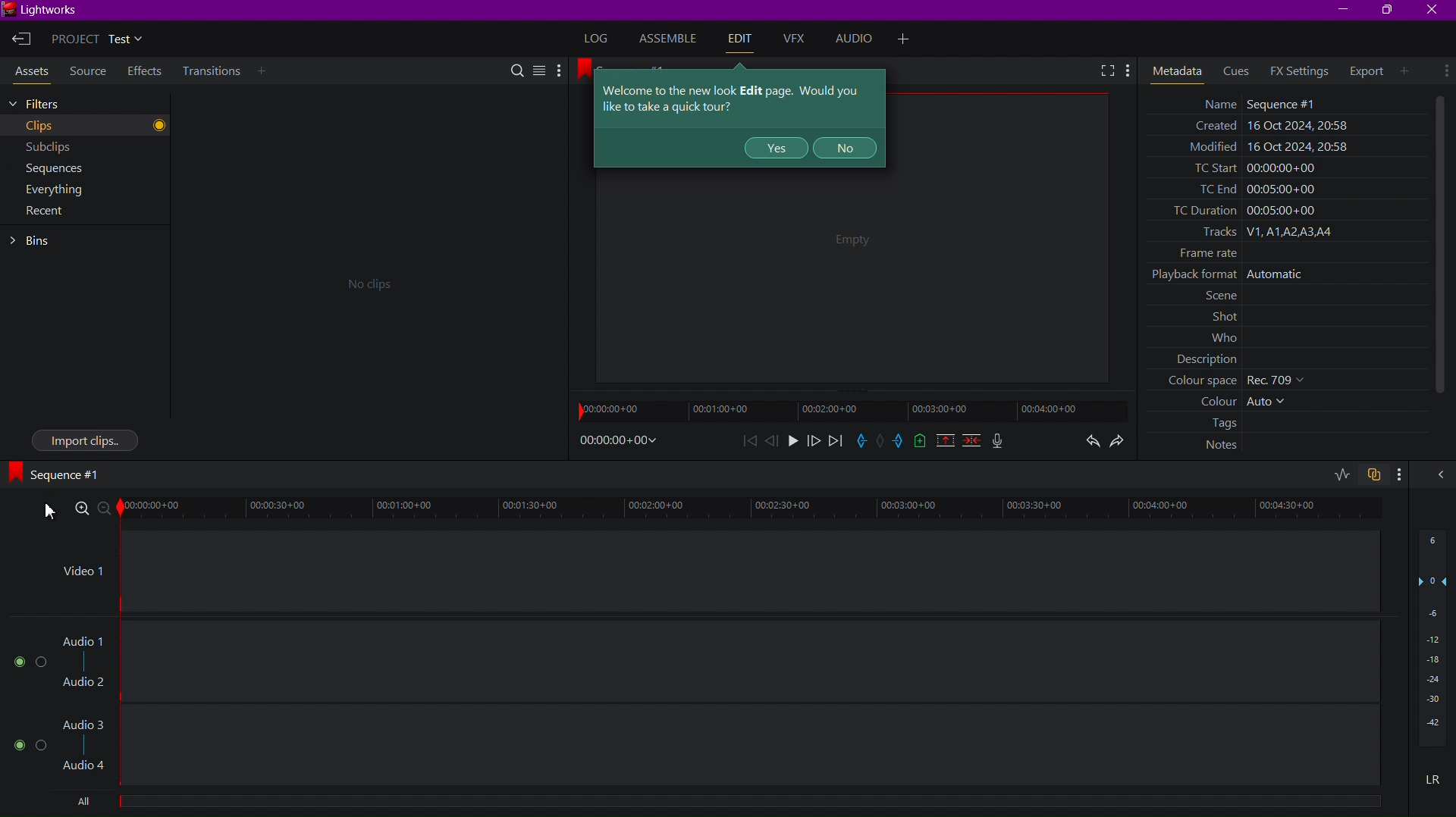 This screenshot has height=817, width=1456. Describe the element at coordinates (22, 37) in the screenshot. I see `Exit` at that location.